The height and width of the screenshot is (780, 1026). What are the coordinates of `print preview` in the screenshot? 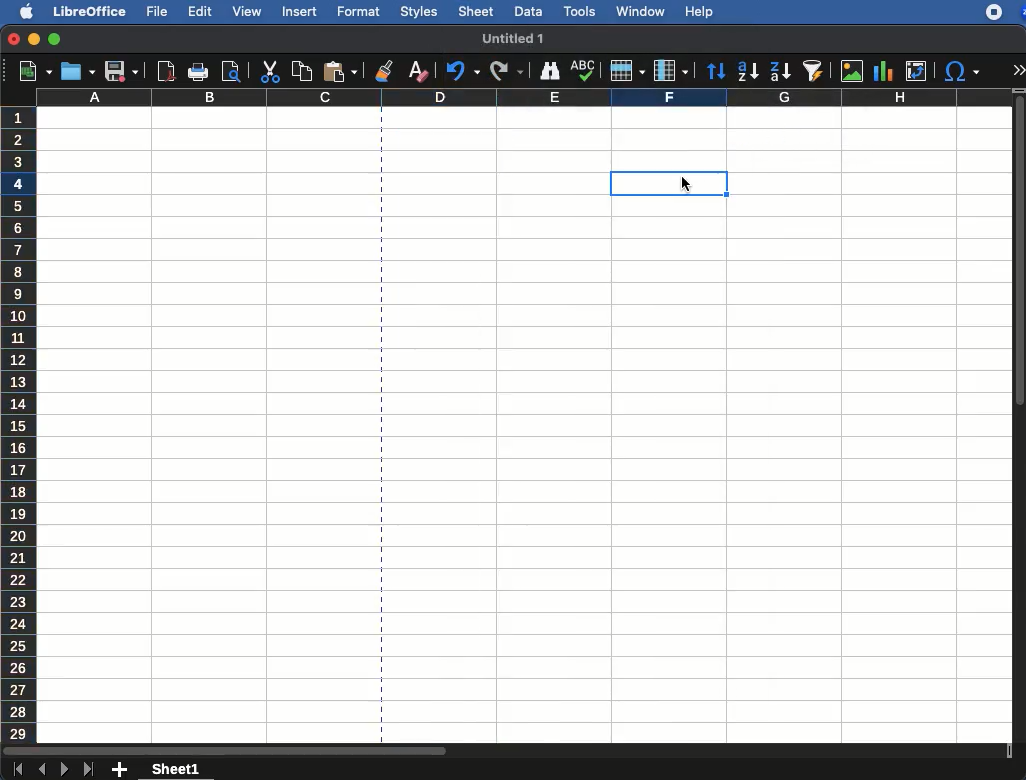 It's located at (233, 71).